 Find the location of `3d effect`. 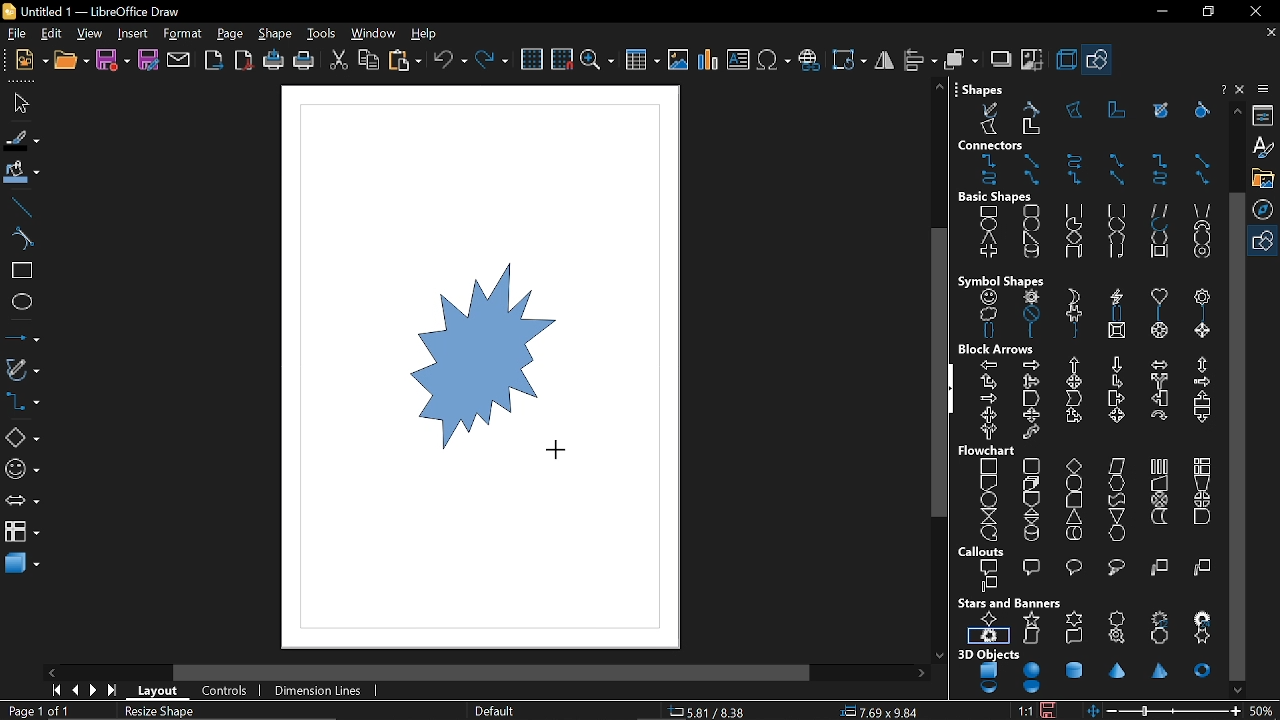

3d effect is located at coordinates (1065, 60).